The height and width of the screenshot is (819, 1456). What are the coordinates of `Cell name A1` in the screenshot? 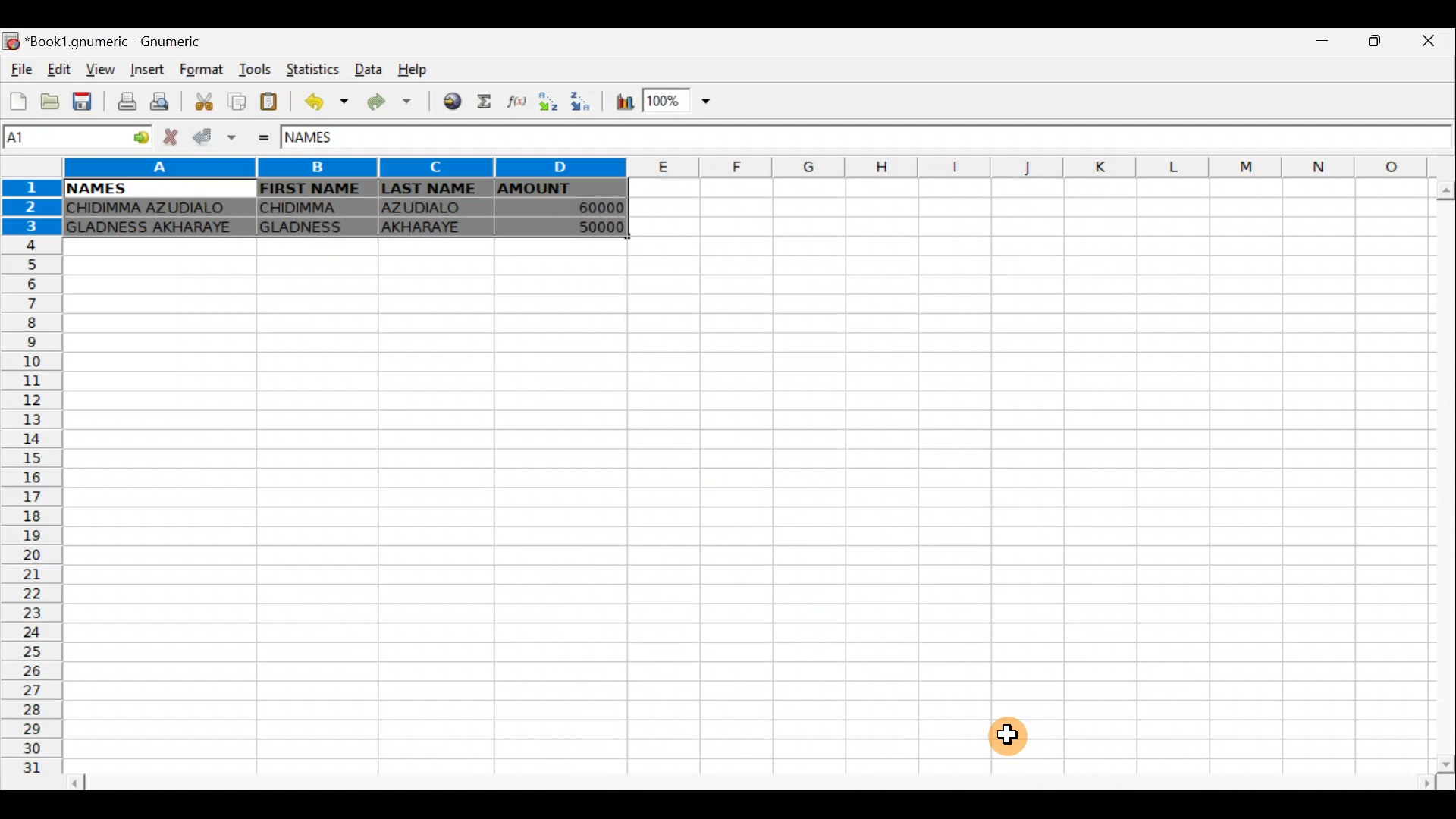 It's located at (60, 139).